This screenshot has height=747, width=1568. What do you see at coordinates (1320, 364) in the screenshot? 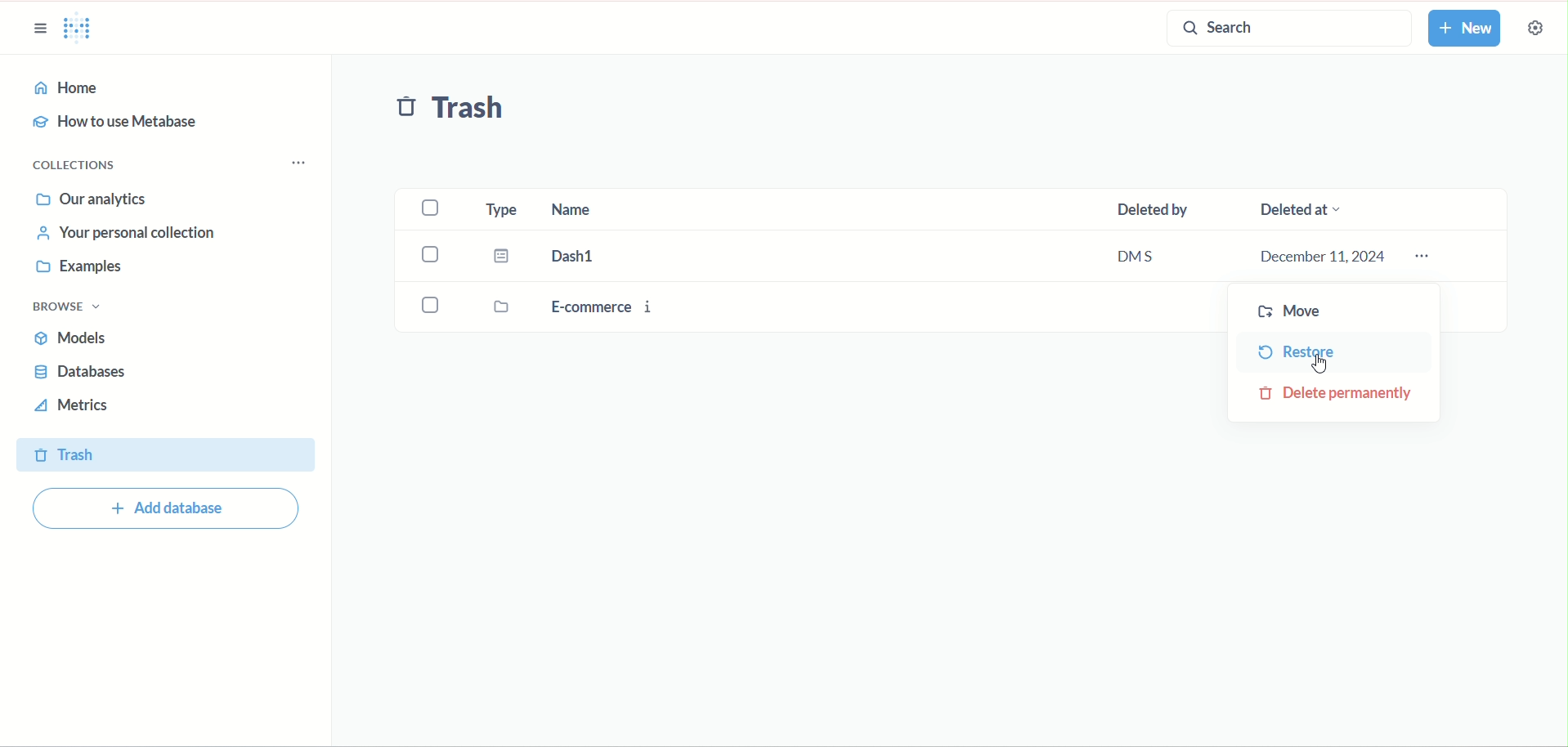
I see `cursor` at bounding box center [1320, 364].